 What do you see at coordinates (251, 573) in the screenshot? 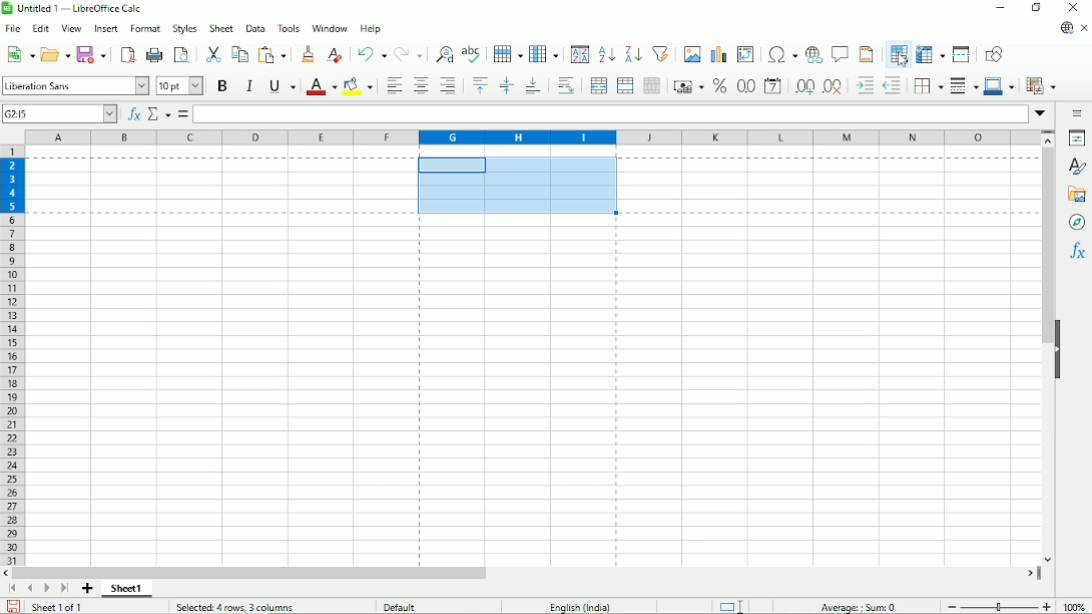
I see `Horizontal scrollbar` at bounding box center [251, 573].